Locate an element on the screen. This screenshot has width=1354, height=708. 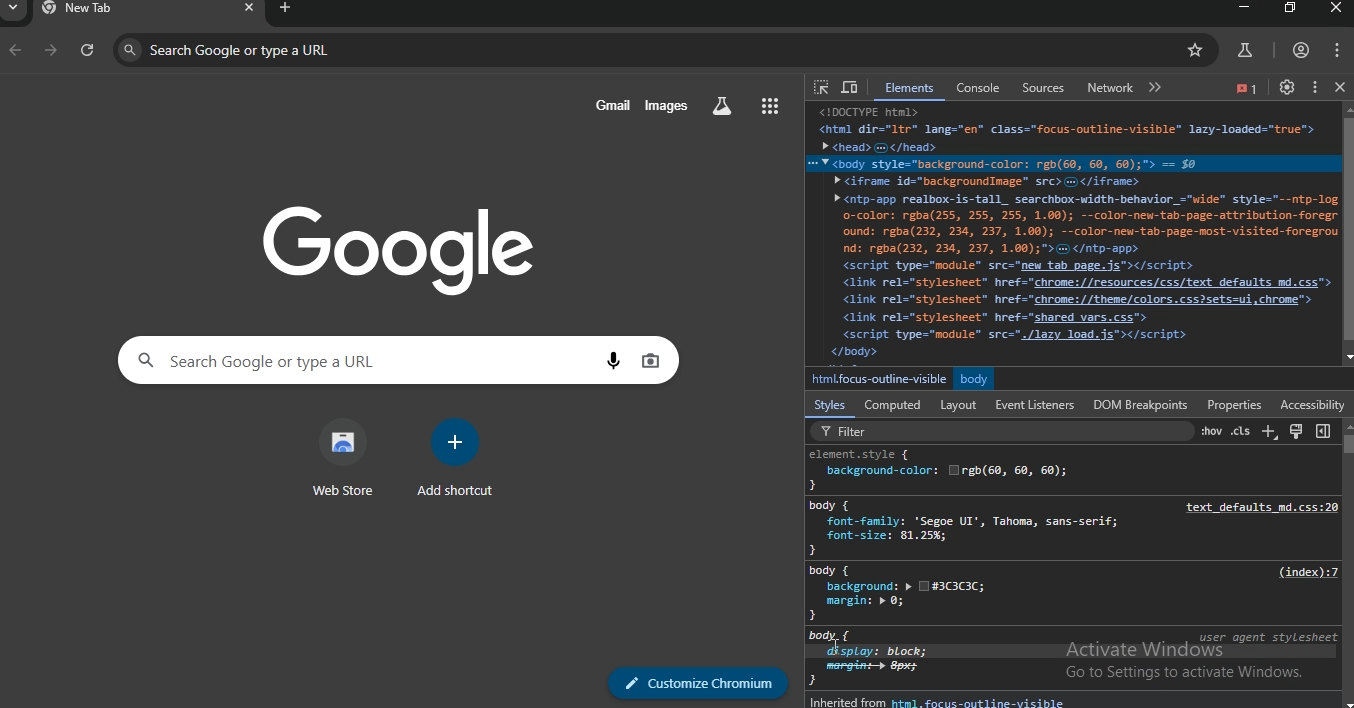
add shortcut is located at coordinates (469, 458).